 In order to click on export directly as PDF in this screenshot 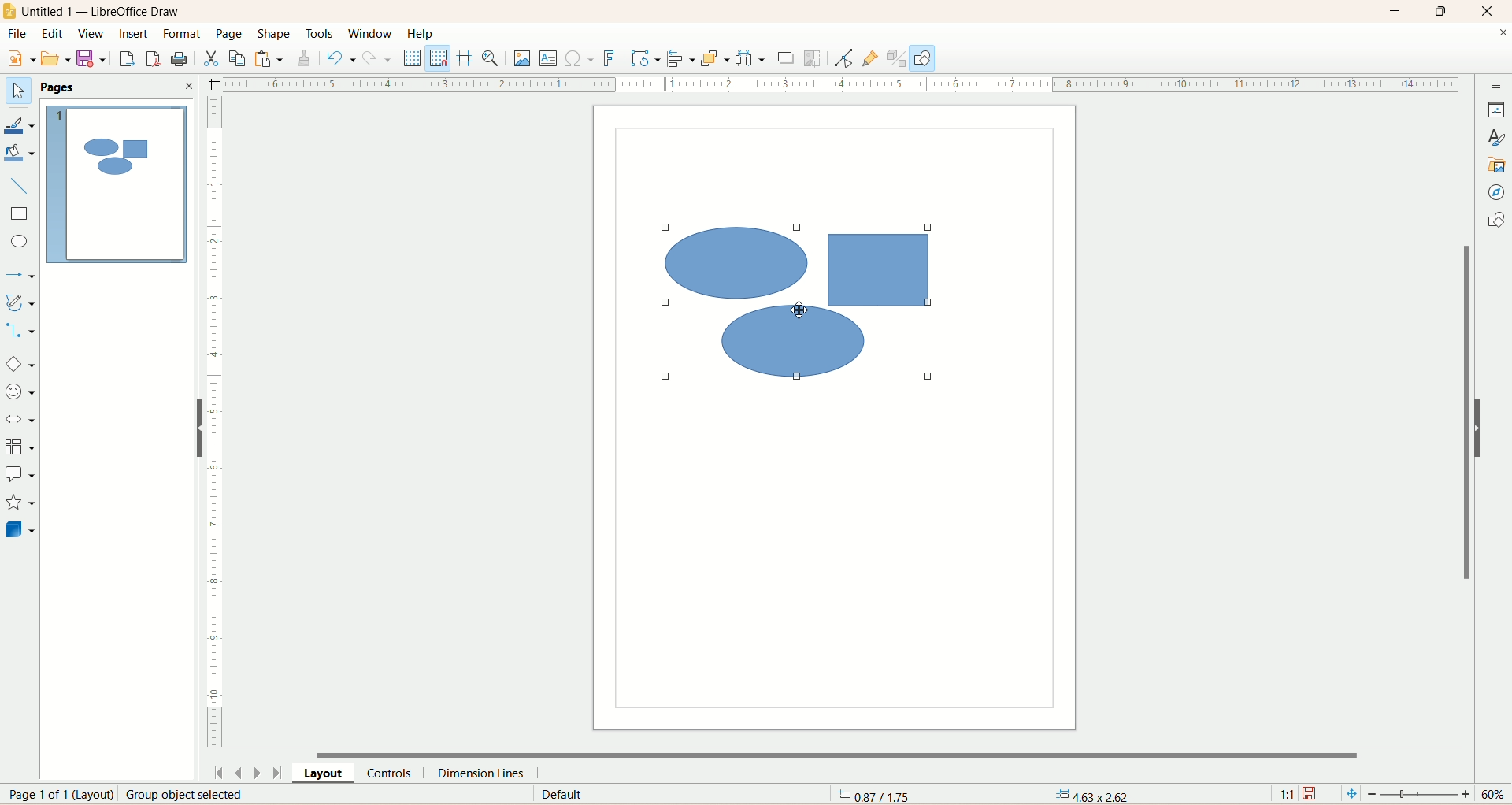, I will do `click(153, 58)`.